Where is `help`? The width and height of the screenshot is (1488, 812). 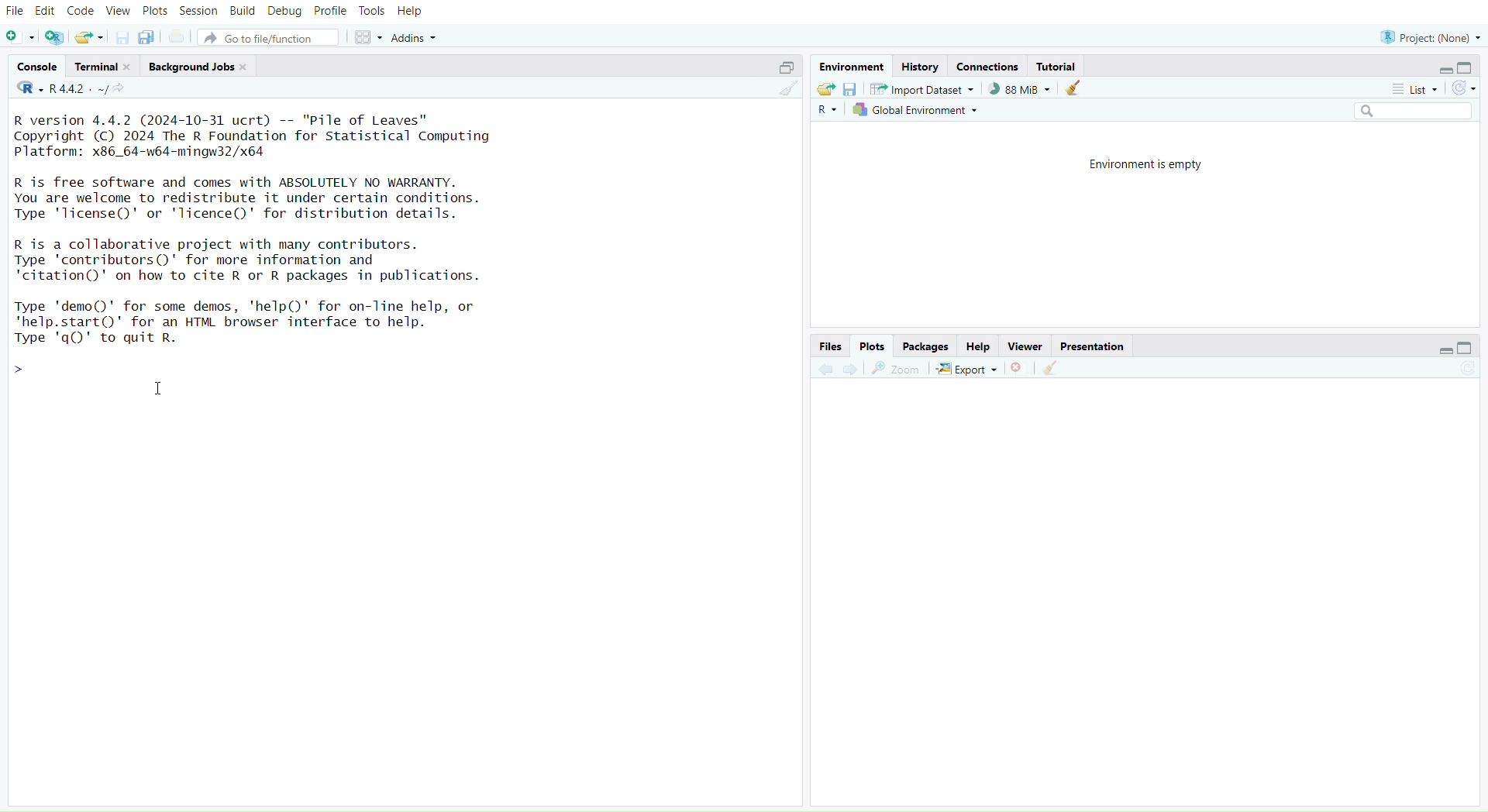
help is located at coordinates (979, 347).